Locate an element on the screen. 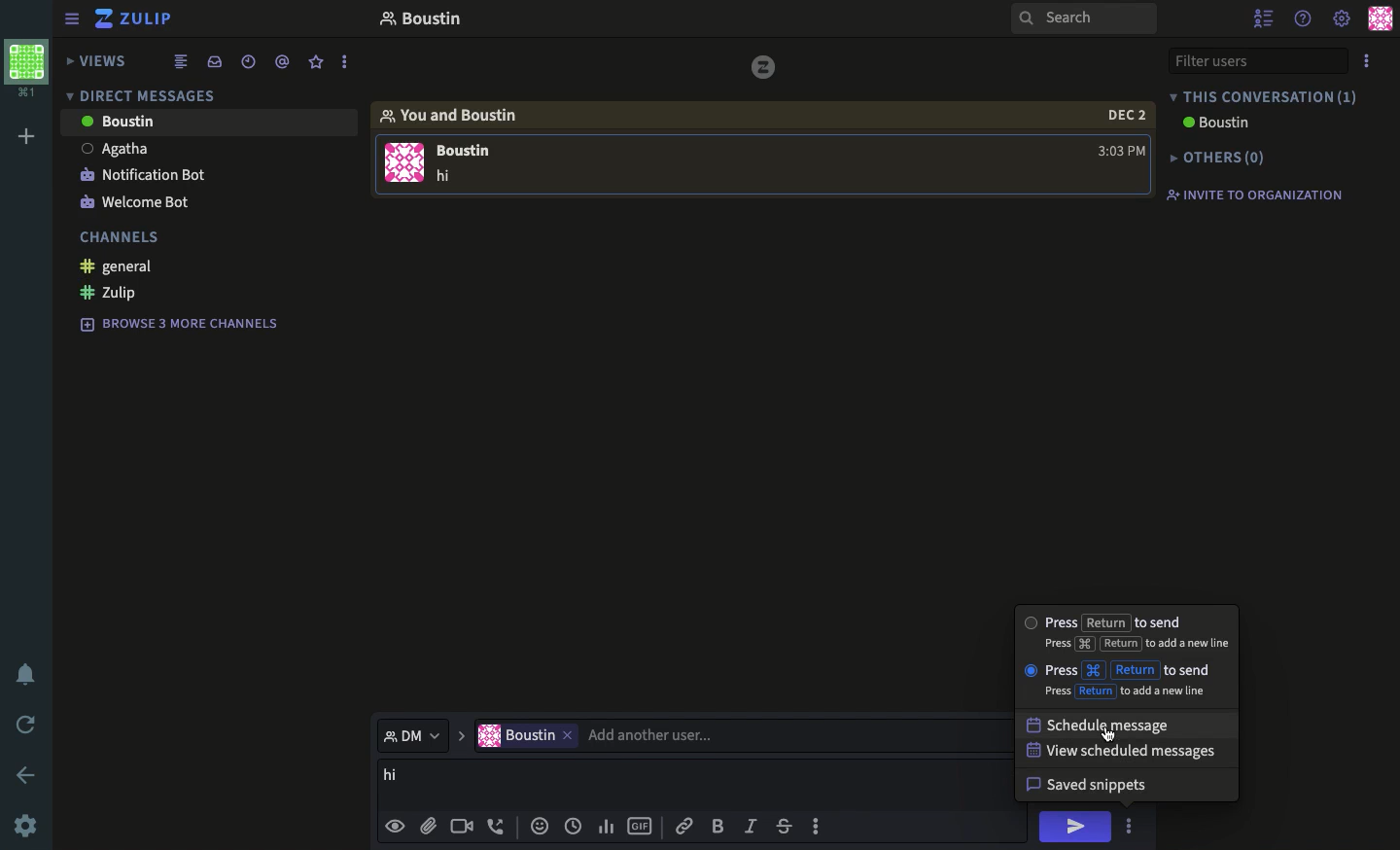  boustin is located at coordinates (433, 16).